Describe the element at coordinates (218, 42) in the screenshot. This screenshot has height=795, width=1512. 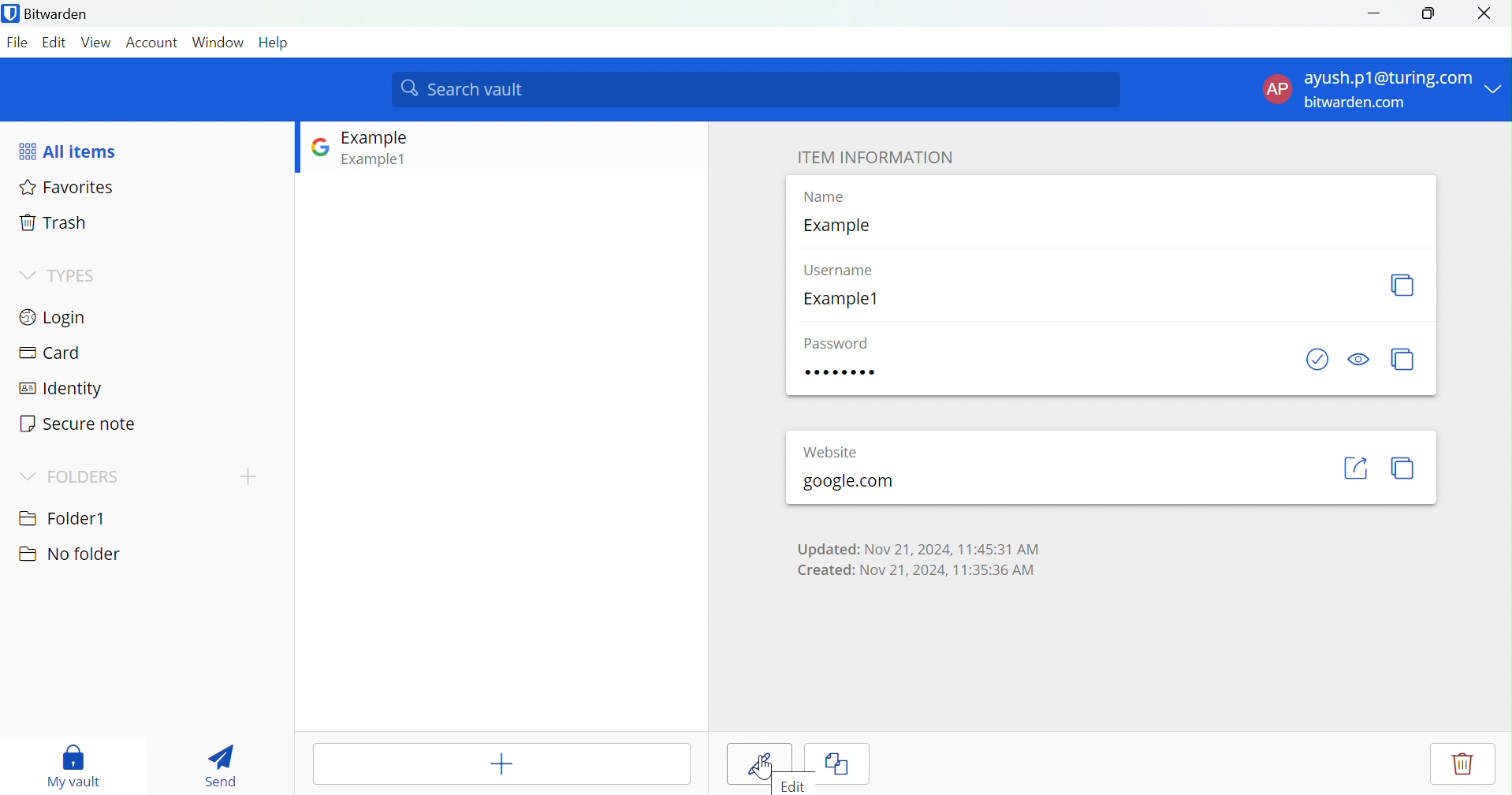
I see `Window` at that location.